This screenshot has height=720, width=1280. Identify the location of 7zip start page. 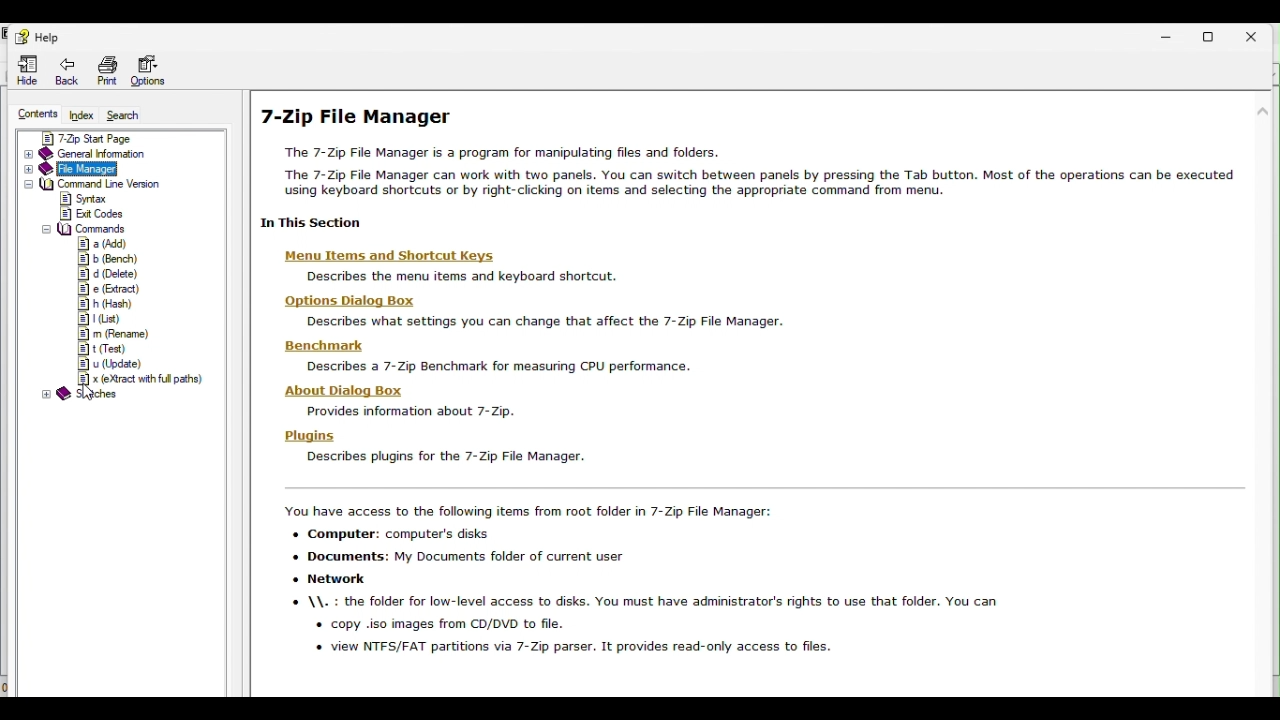
(119, 139).